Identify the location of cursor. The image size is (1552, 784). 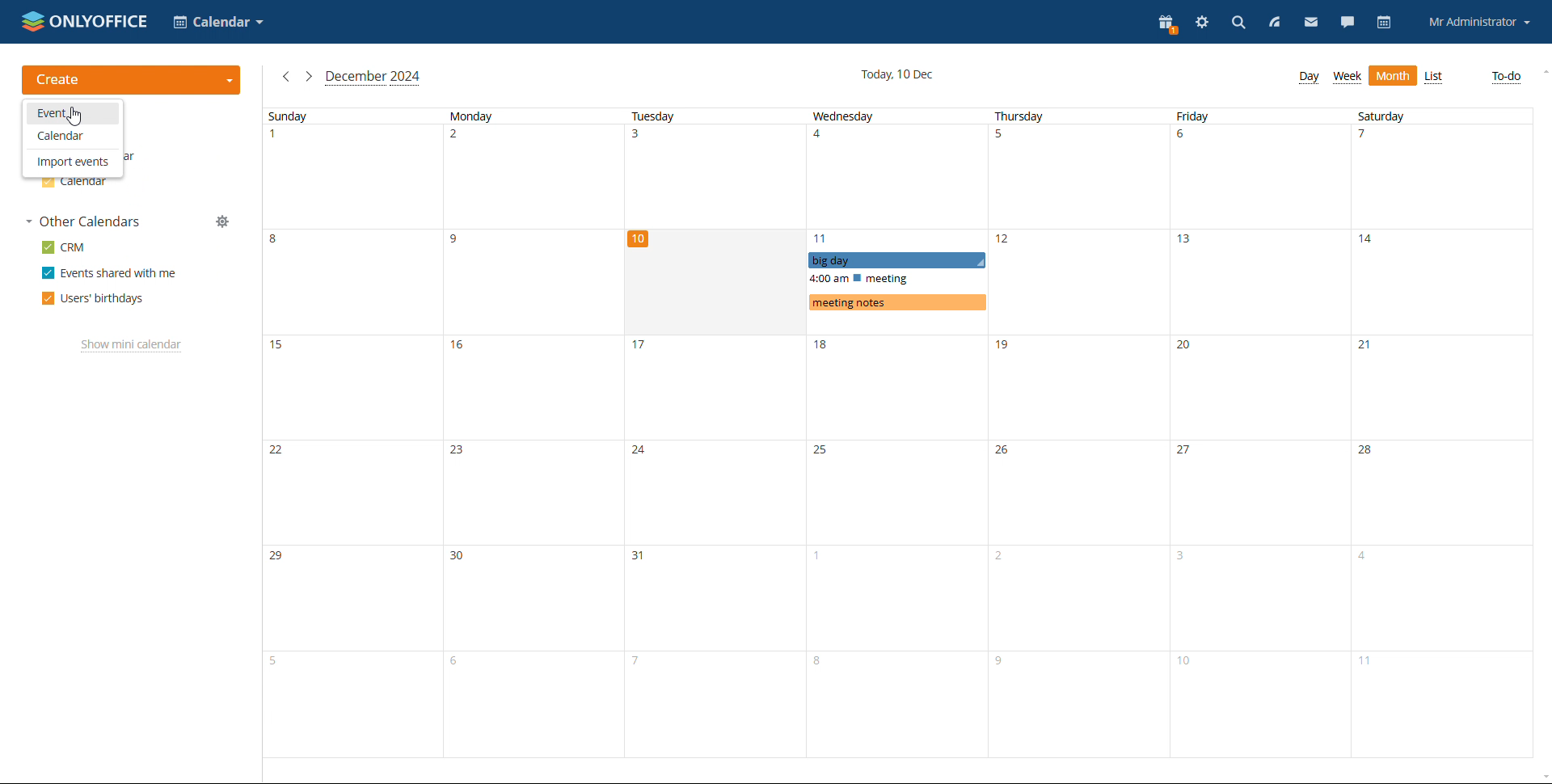
(77, 118).